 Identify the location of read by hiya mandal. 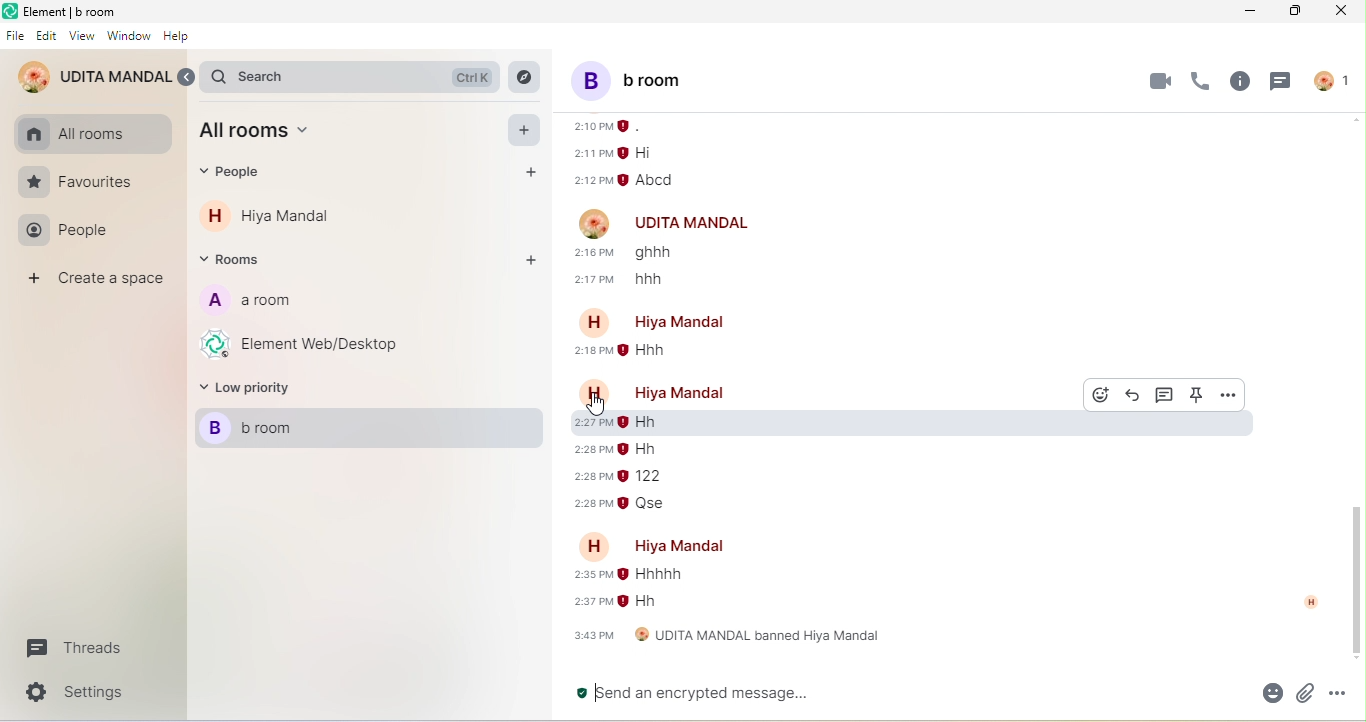
(1312, 603).